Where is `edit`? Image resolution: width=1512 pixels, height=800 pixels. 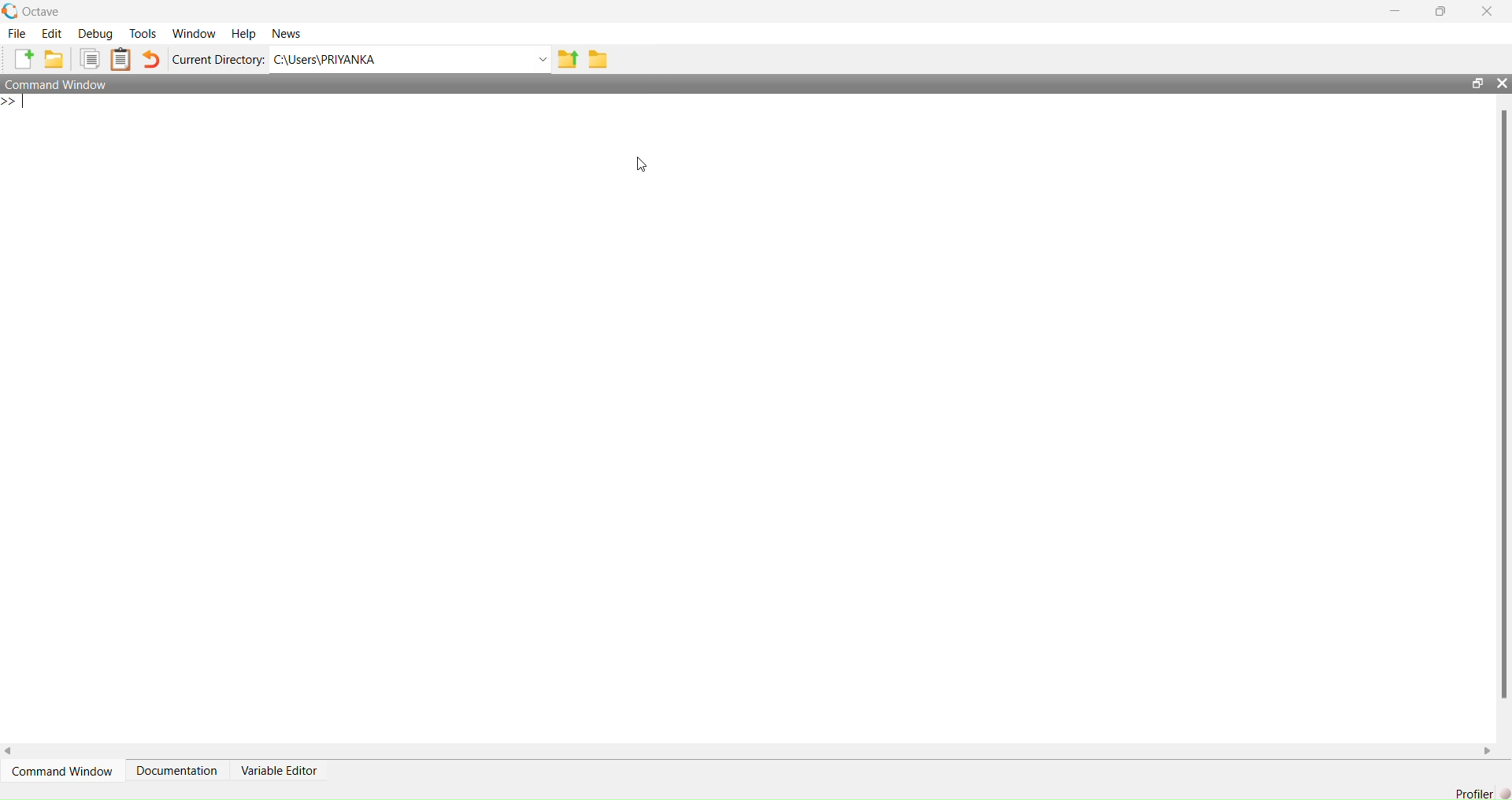 edit is located at coordinates (52, 32).